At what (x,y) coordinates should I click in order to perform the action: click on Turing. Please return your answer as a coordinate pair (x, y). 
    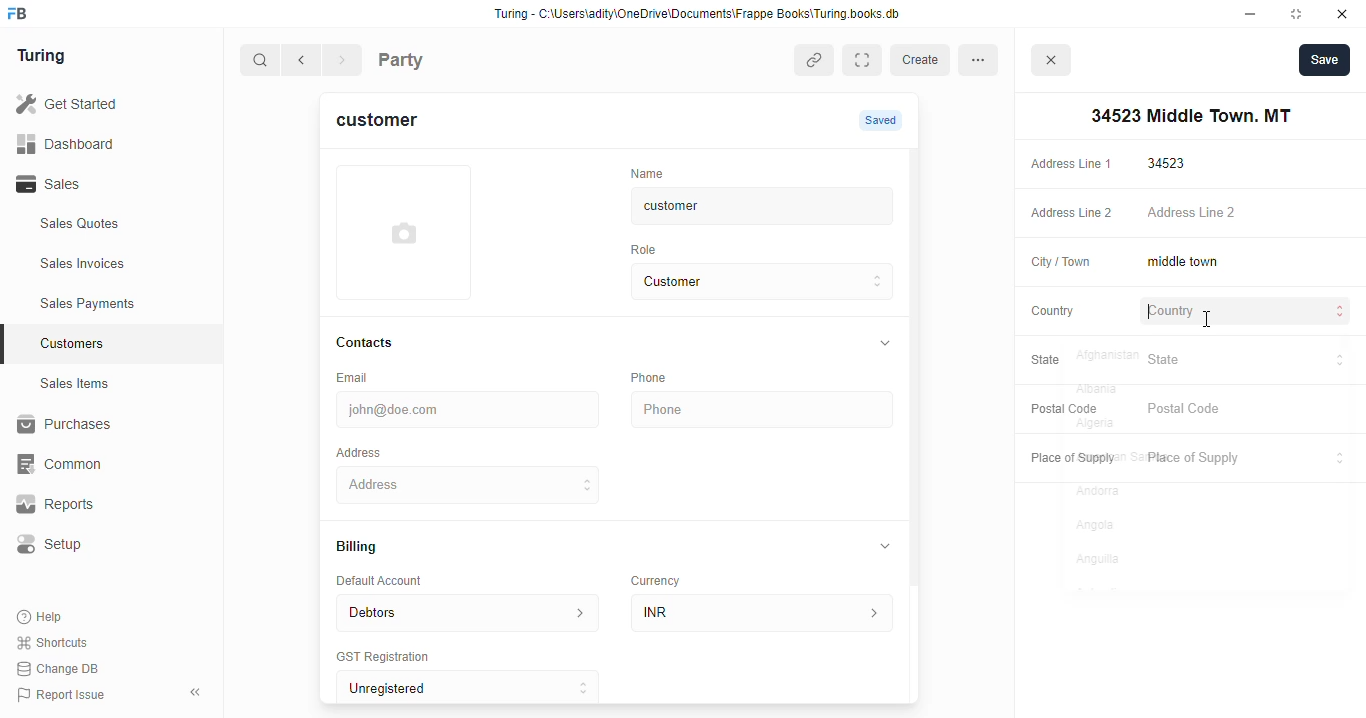
    Looking at the image, I should click on (46, 57).